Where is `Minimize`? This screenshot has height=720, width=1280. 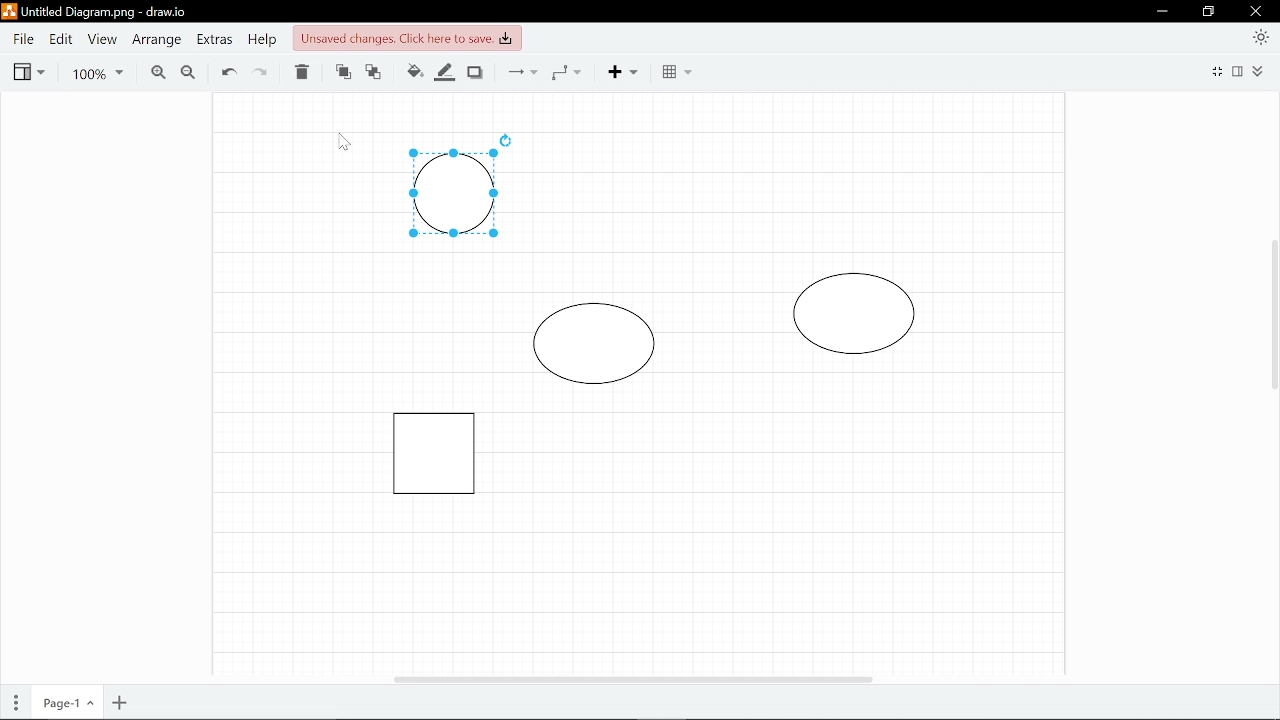 Minimize is located at coordinates (1161, 11).